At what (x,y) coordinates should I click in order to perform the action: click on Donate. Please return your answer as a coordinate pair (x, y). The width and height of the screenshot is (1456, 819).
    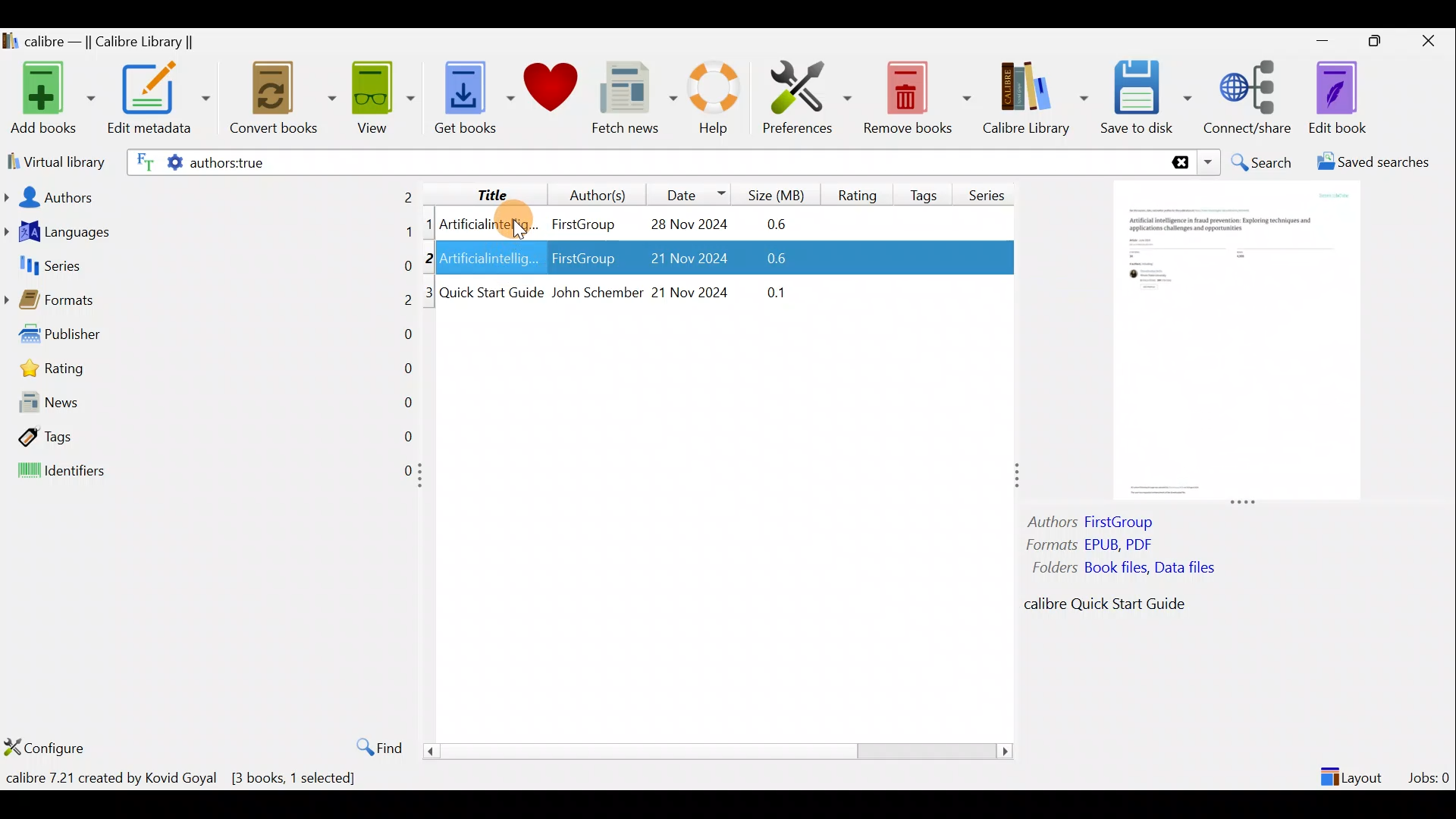
    Looking at the image, I should click on (551, 93).